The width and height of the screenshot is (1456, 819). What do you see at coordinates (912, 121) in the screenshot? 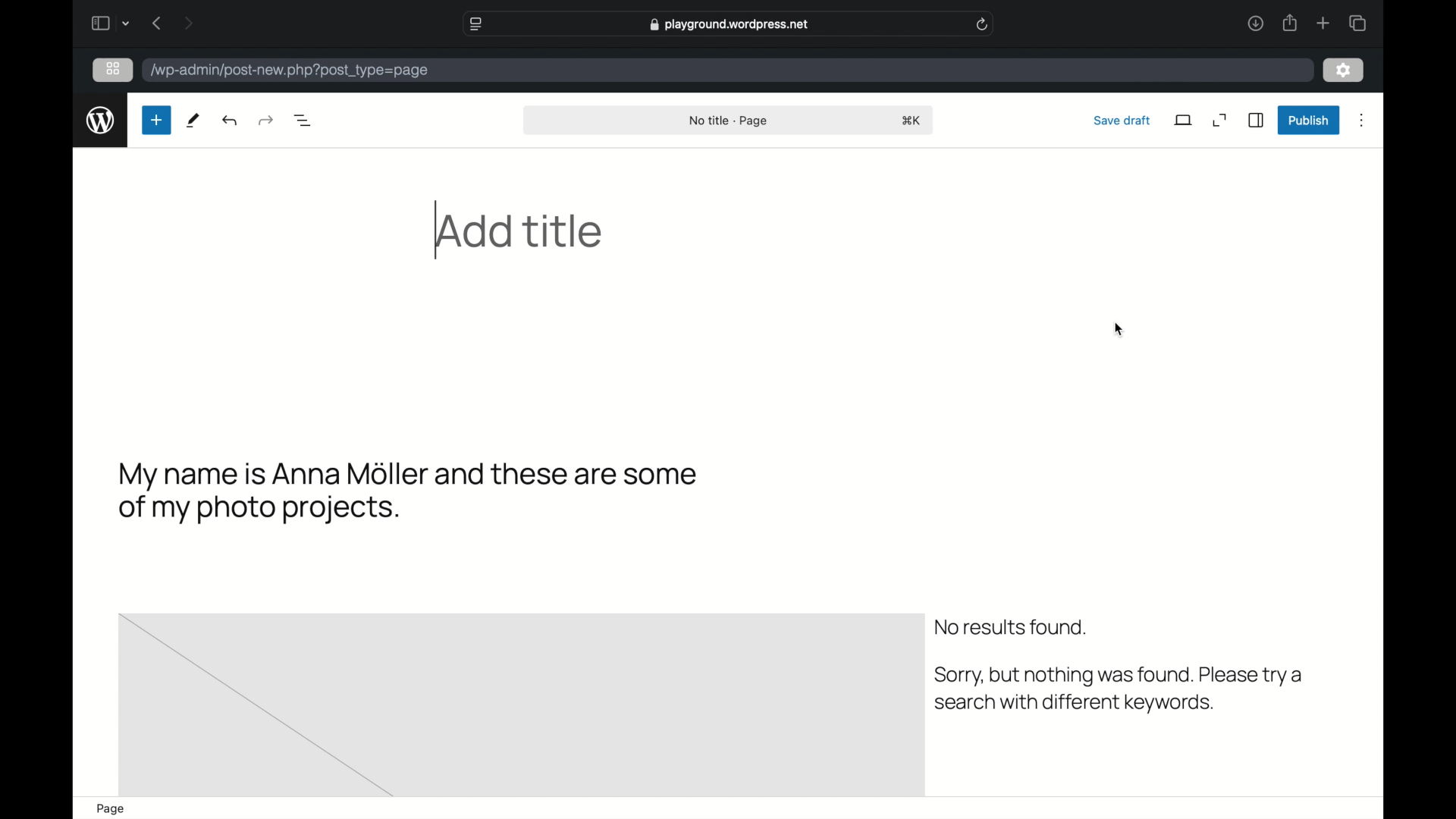
I see `shortcut` at bounding box center [912, 121].